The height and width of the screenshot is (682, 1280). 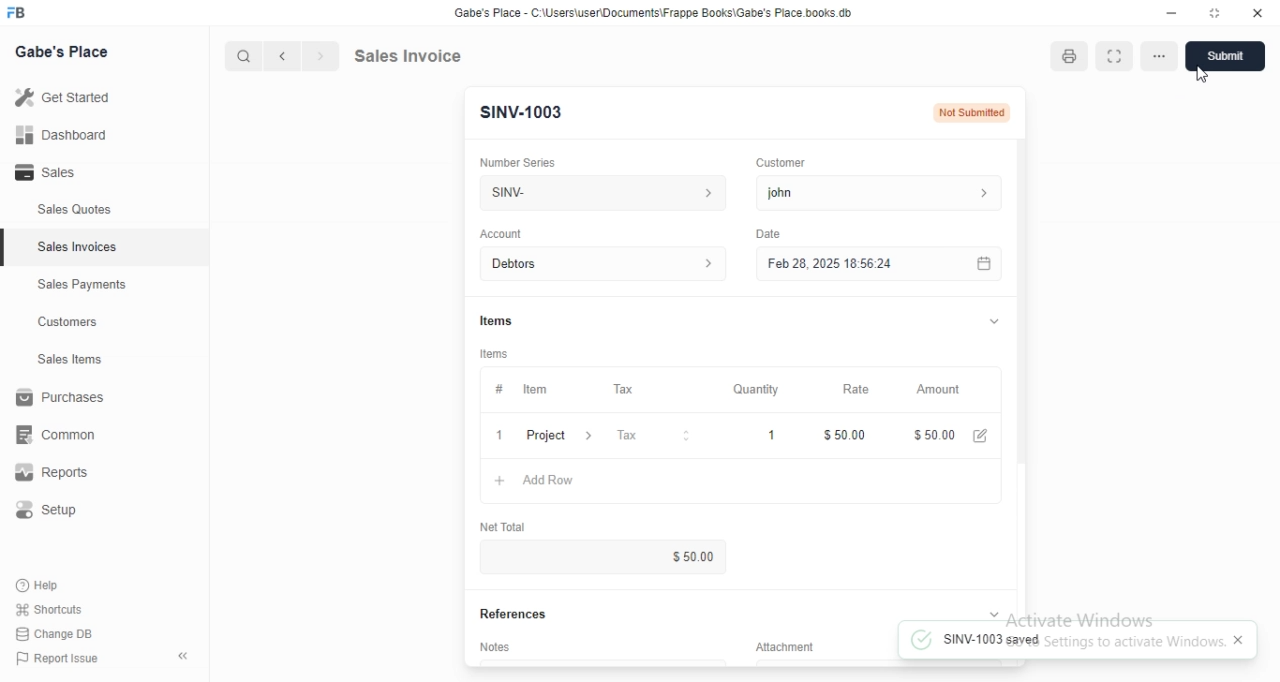 I want to click on close, so click(x=1235, y=640).